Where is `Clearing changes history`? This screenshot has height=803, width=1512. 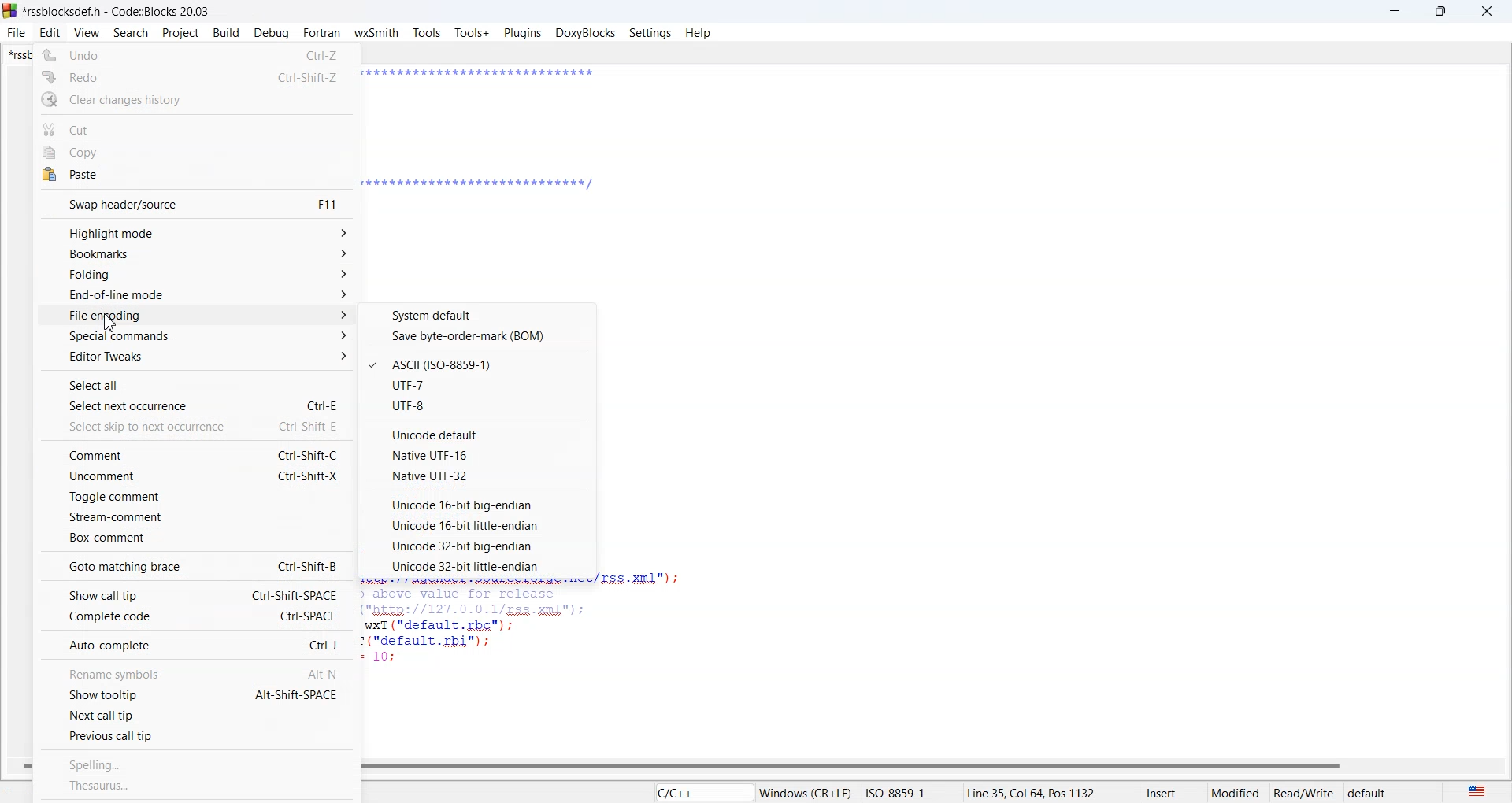 Clearing changes history is located at coordinates (196, 100).